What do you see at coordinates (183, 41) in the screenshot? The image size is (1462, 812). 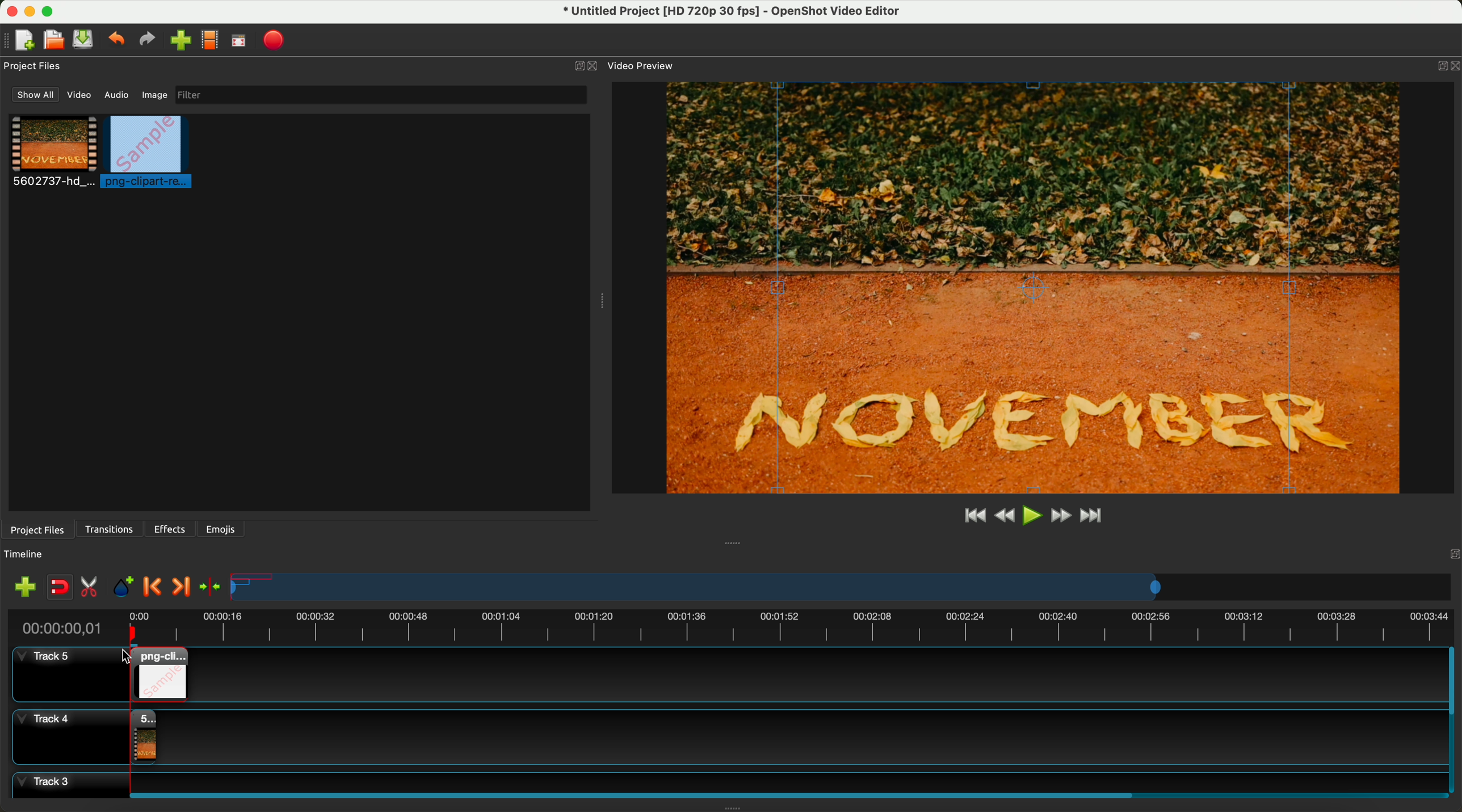 I see `click on import files` at bounding box center [183, 41].